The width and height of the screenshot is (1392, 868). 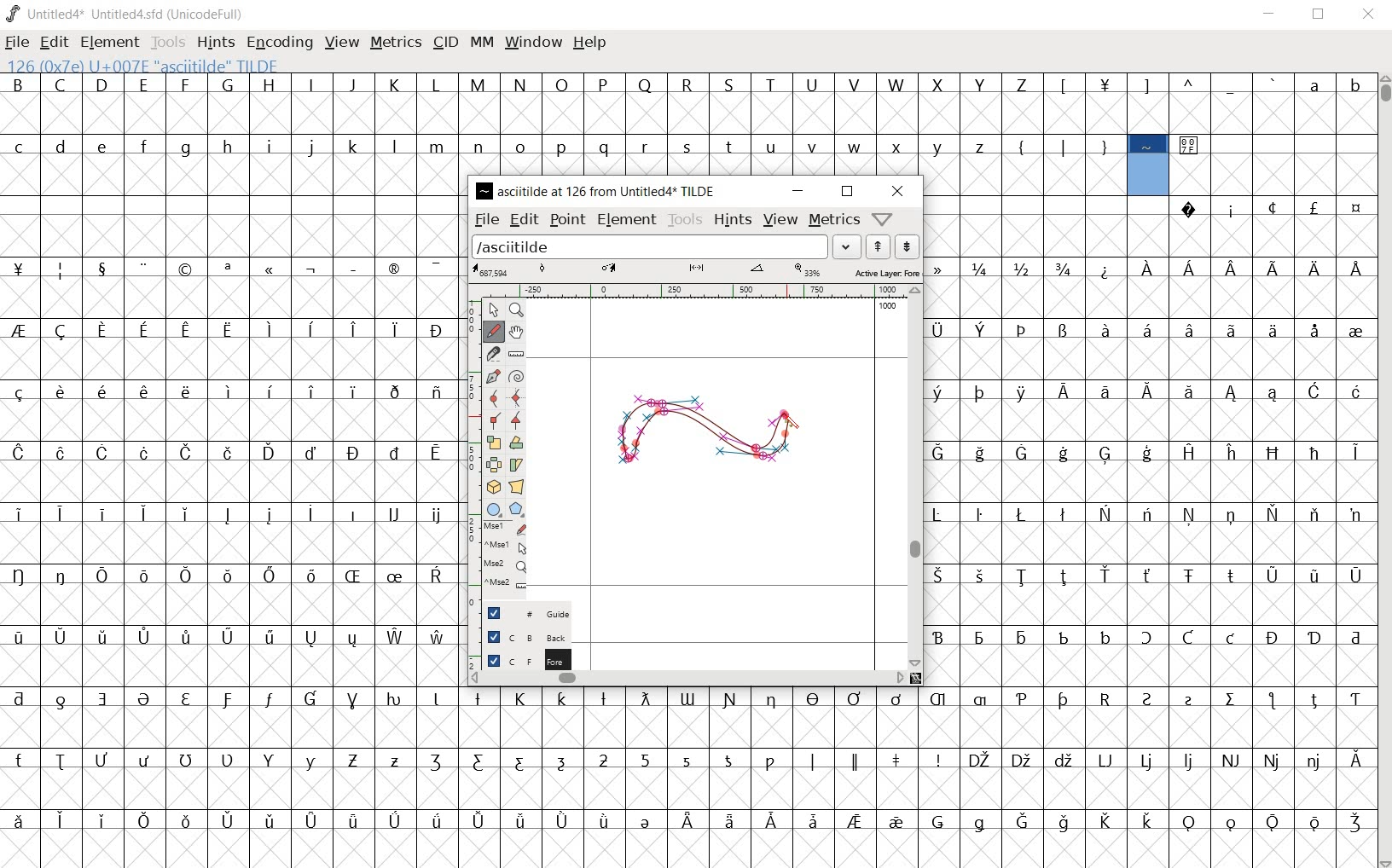 What do you see at coordinates (536, 42) in the screenshot?
I see `WINDOW` at bounding box center [536, 42].